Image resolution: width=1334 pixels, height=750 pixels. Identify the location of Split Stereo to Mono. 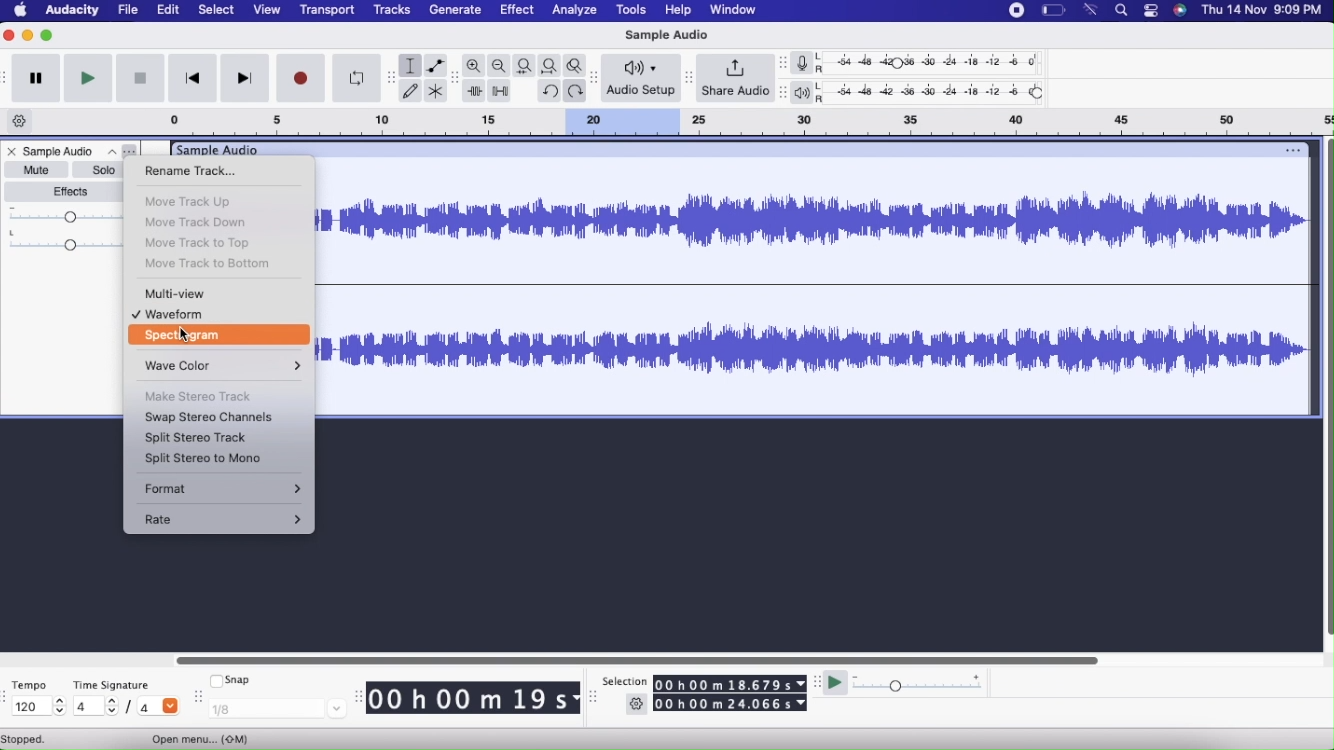
(200, 459).